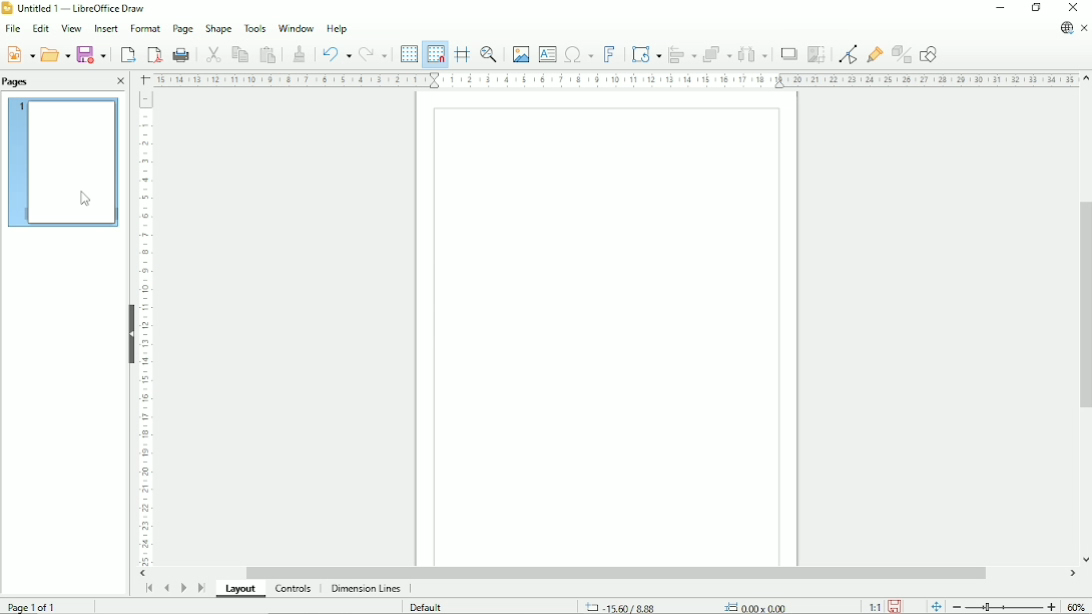 The width and height of the screenshot is (1092, 614). Describe the element at coordinates (608, 330) in the screenshot. I see `Canvas` at that location.